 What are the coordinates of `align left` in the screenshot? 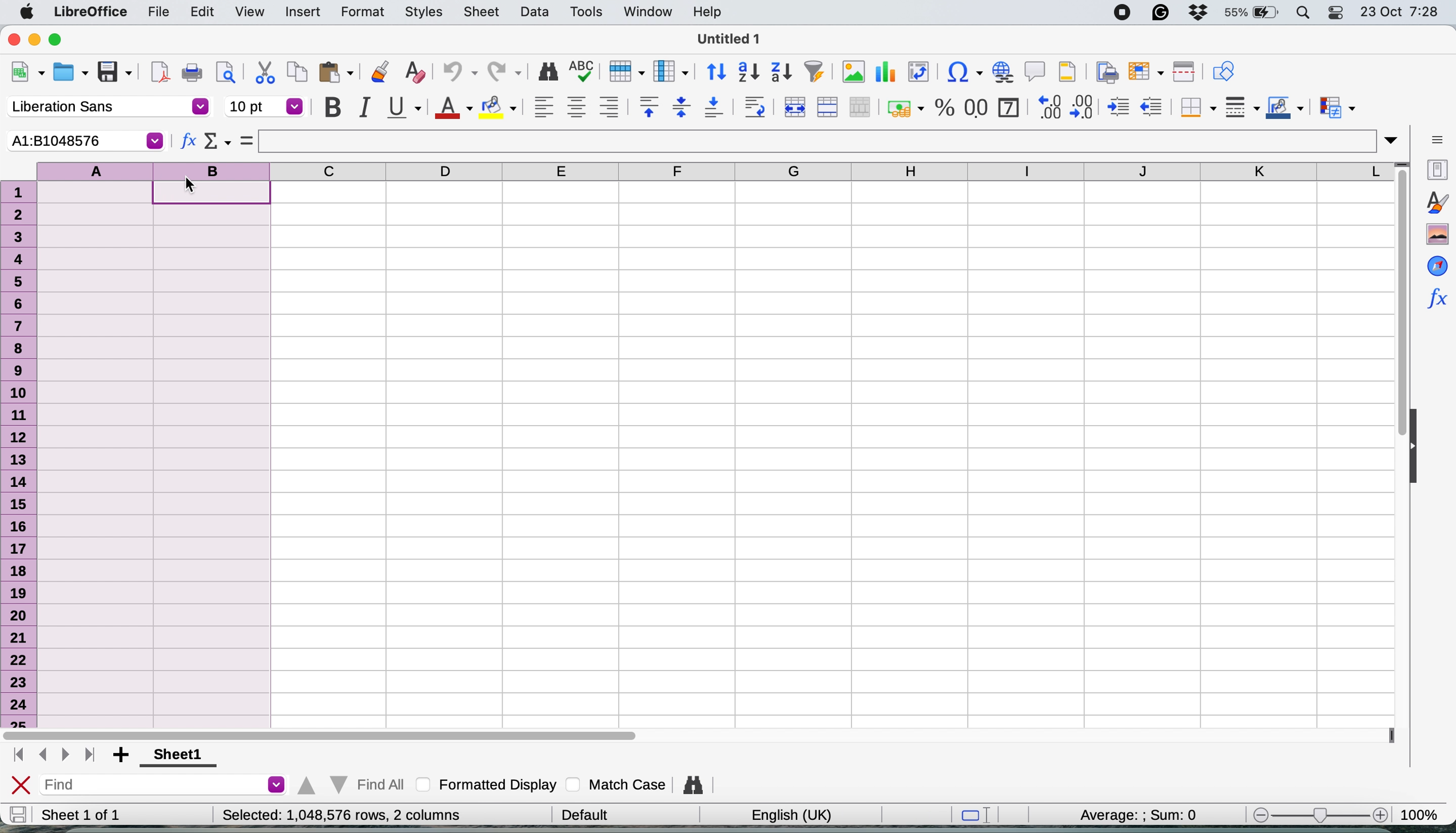 It's located at (541, 106).